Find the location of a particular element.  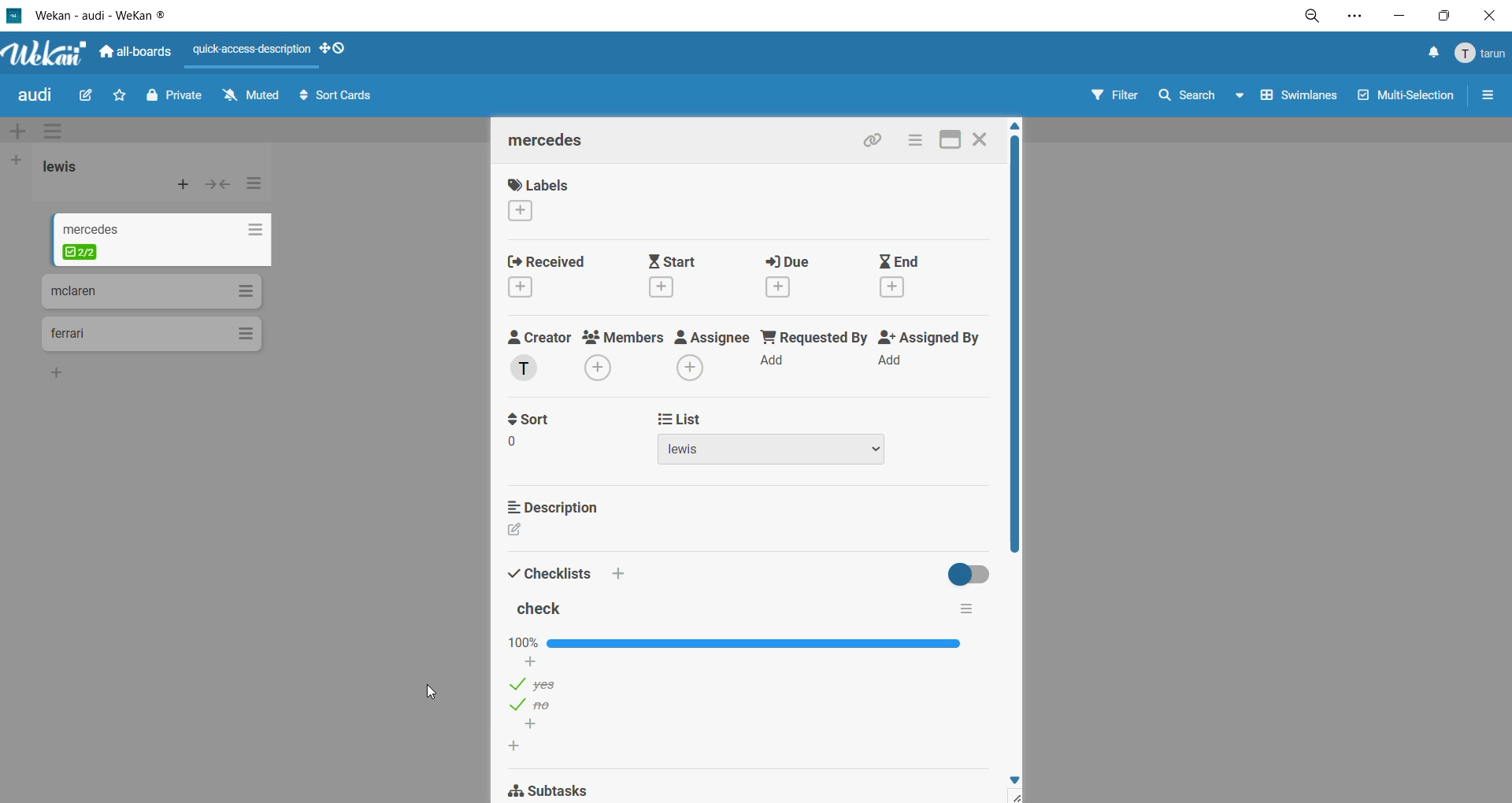

hide completed checklists is located at coordinates (974, 573).